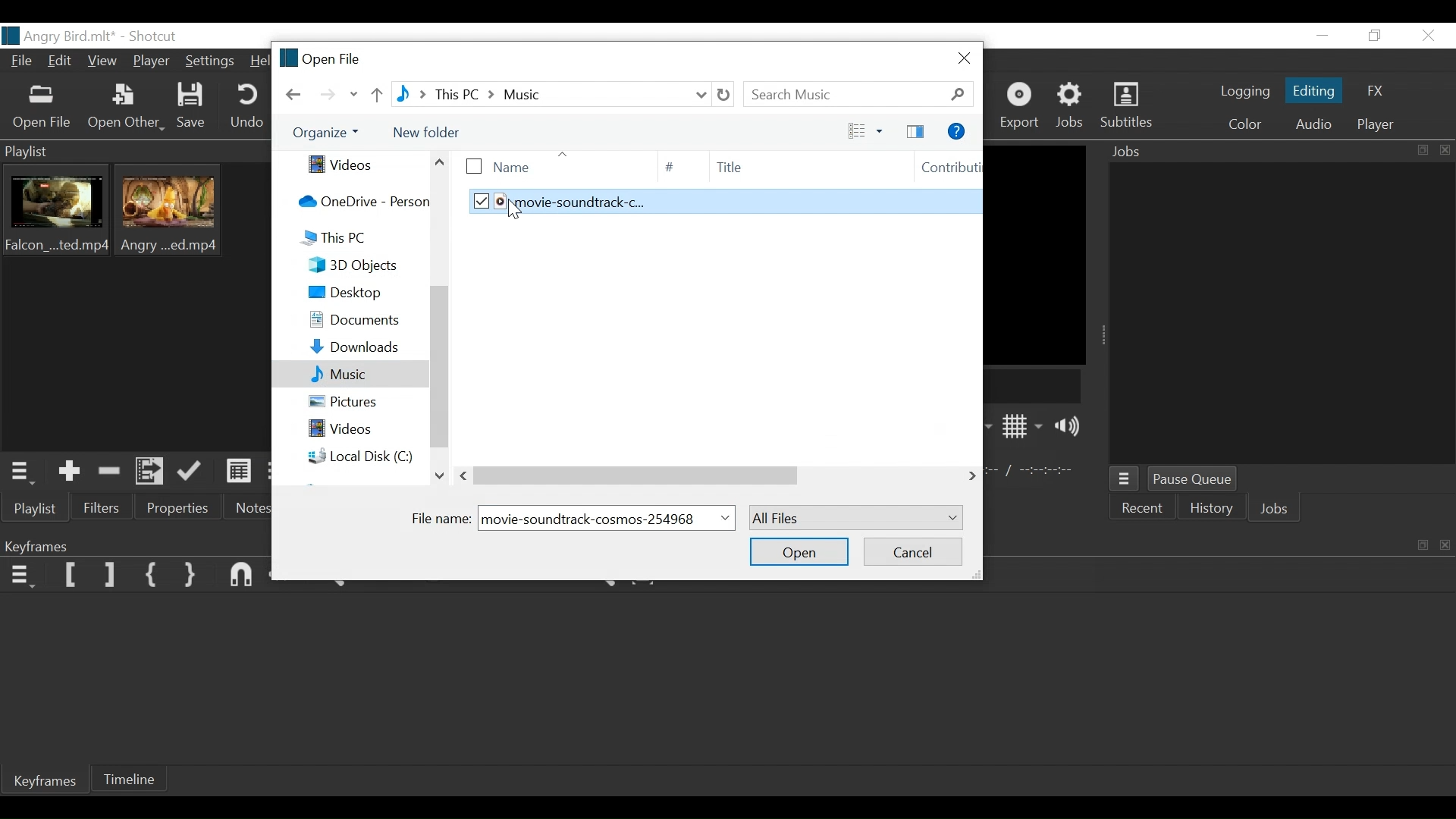  I want to click on Go Forward, so click(330, 95).